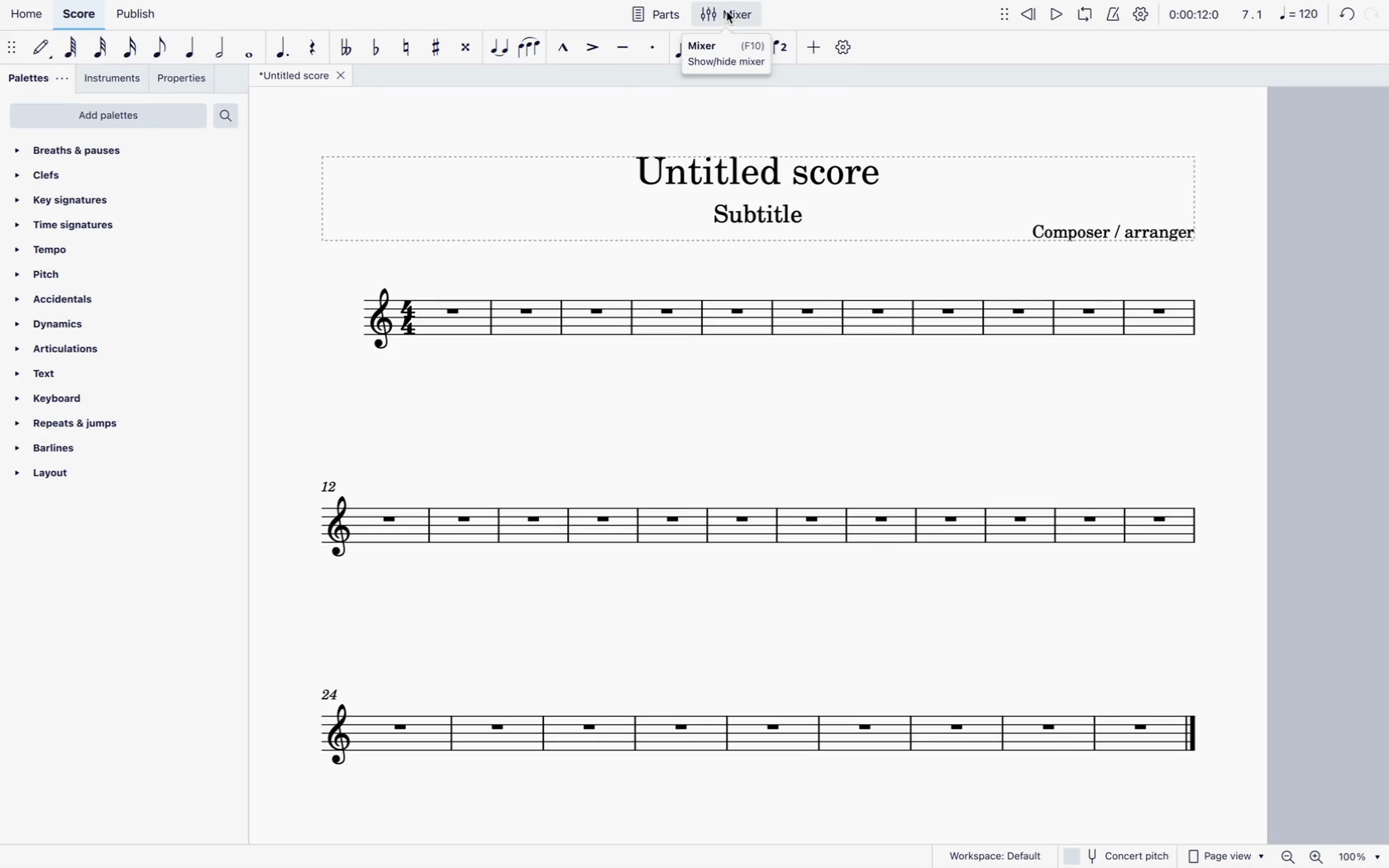  What do you see at coordinates (728, 15) in the screenshot?
I see `mixer` at bounding box center [728, 15].